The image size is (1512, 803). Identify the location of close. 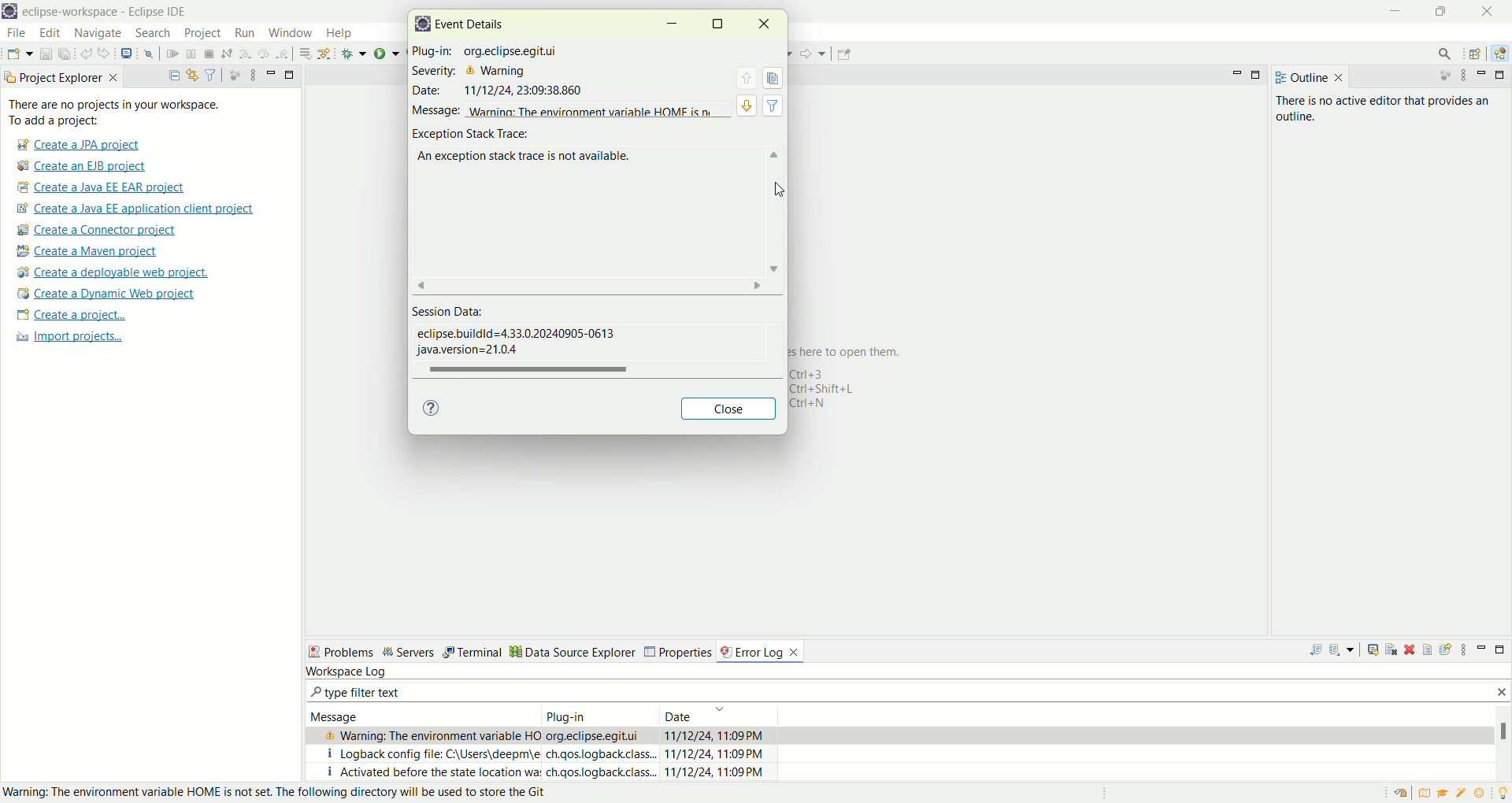
(764, 24).